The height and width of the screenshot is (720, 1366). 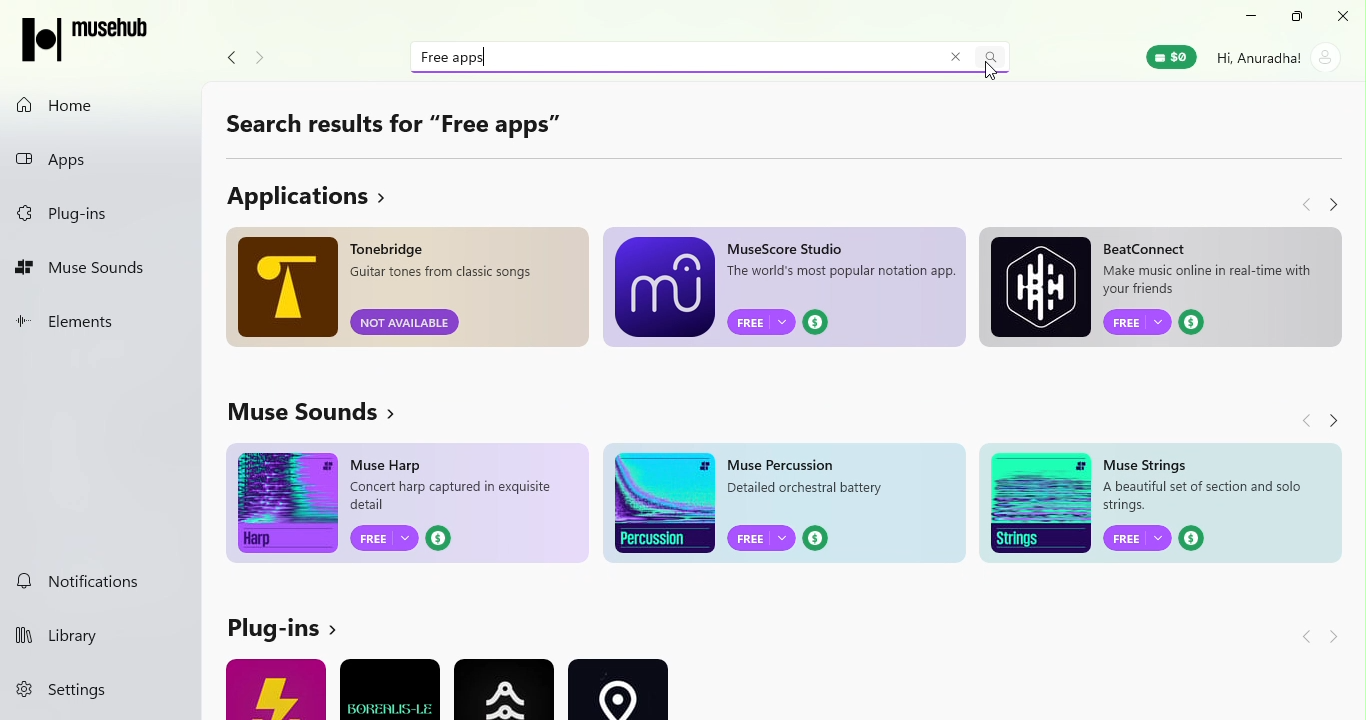 I want to click on Muse wallet, so click(x=1170, y=59).